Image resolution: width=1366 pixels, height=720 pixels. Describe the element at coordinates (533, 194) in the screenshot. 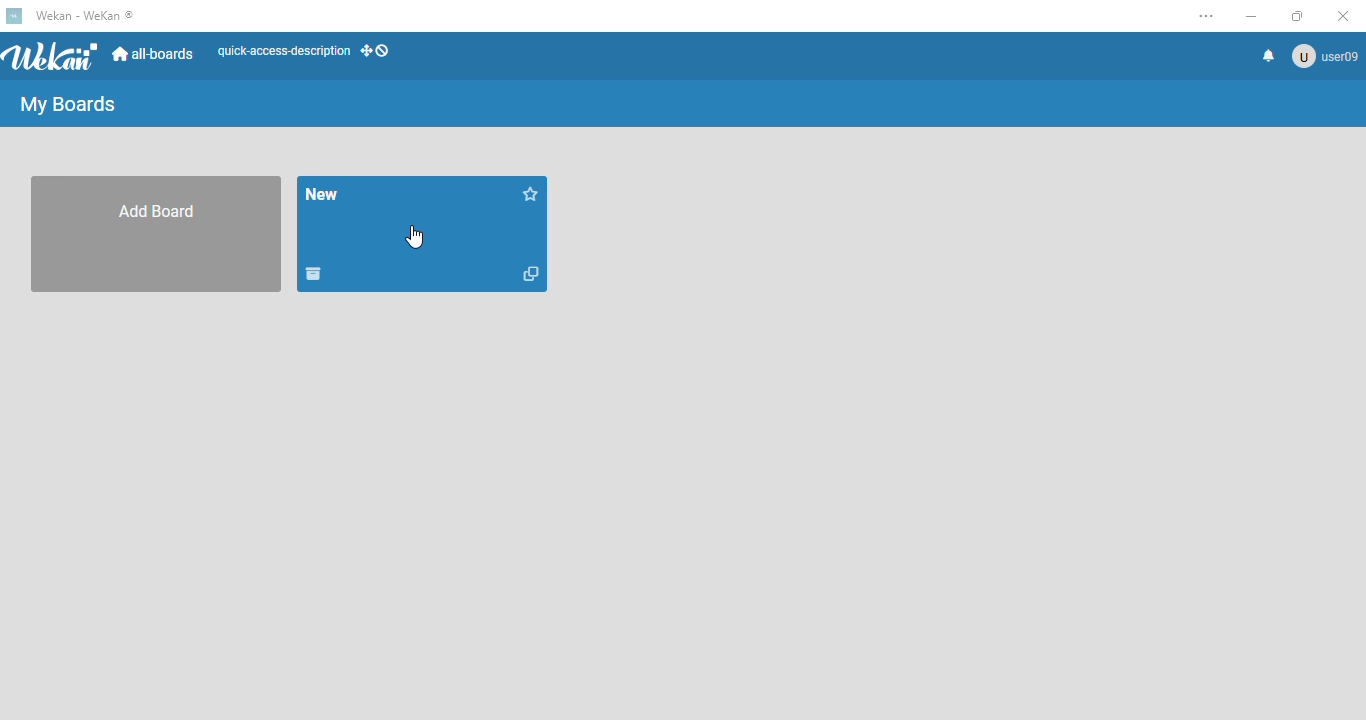

I see `click to star this board` at that location.